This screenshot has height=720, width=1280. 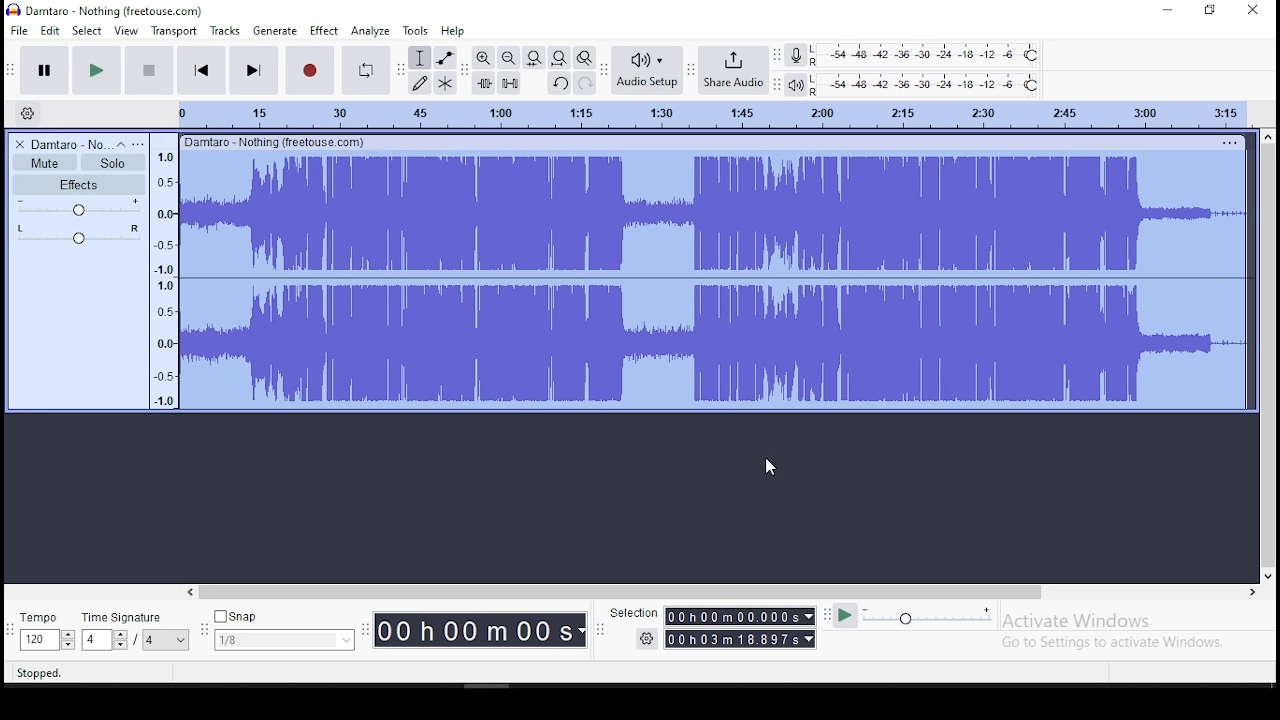 What do you see at coordinates (66, 143) in the screenshot?
I see `audio track name` at bounding box center [66, 143].